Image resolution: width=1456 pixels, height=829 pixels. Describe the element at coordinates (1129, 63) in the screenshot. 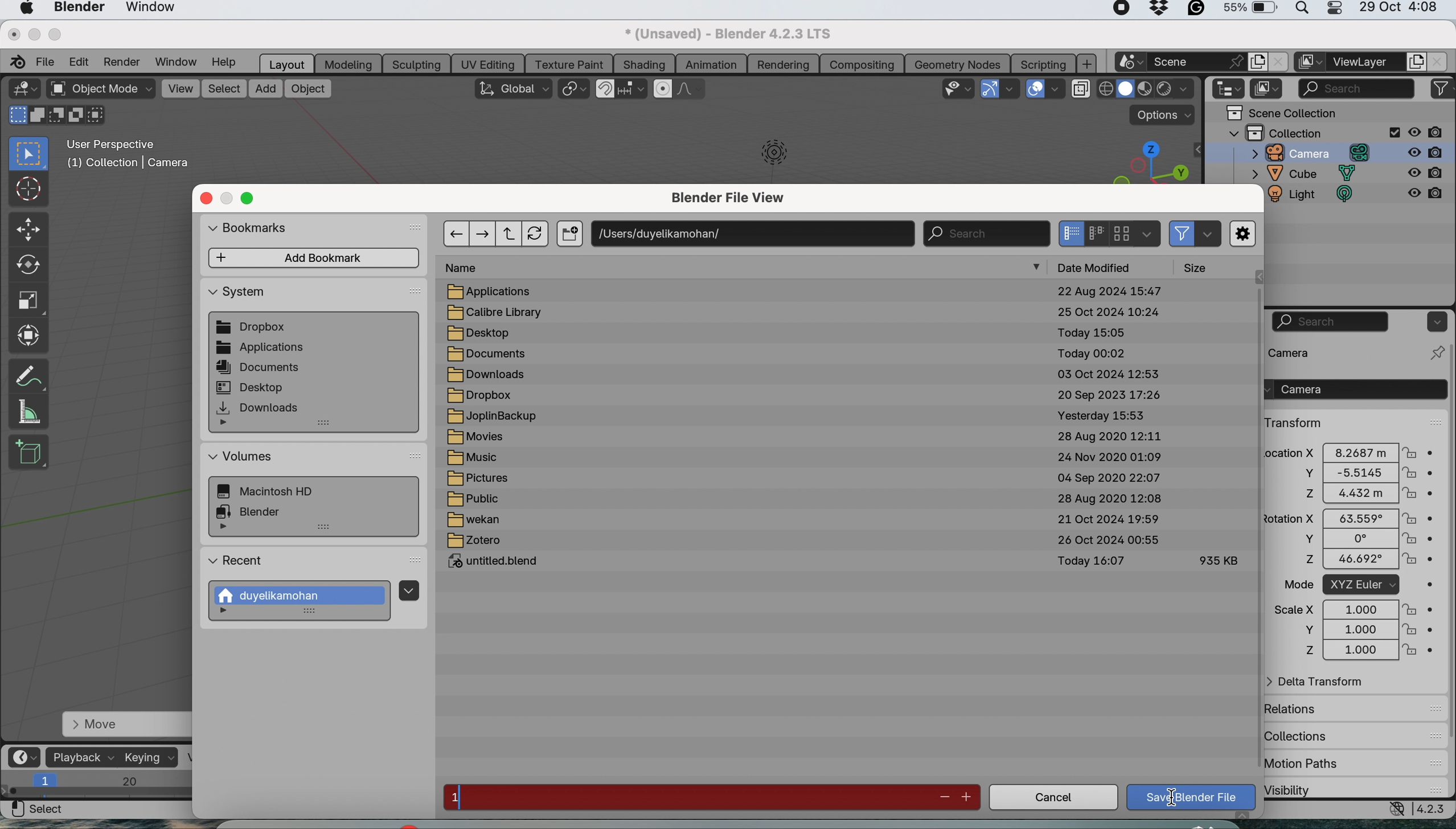

I see `new scene` at that location.